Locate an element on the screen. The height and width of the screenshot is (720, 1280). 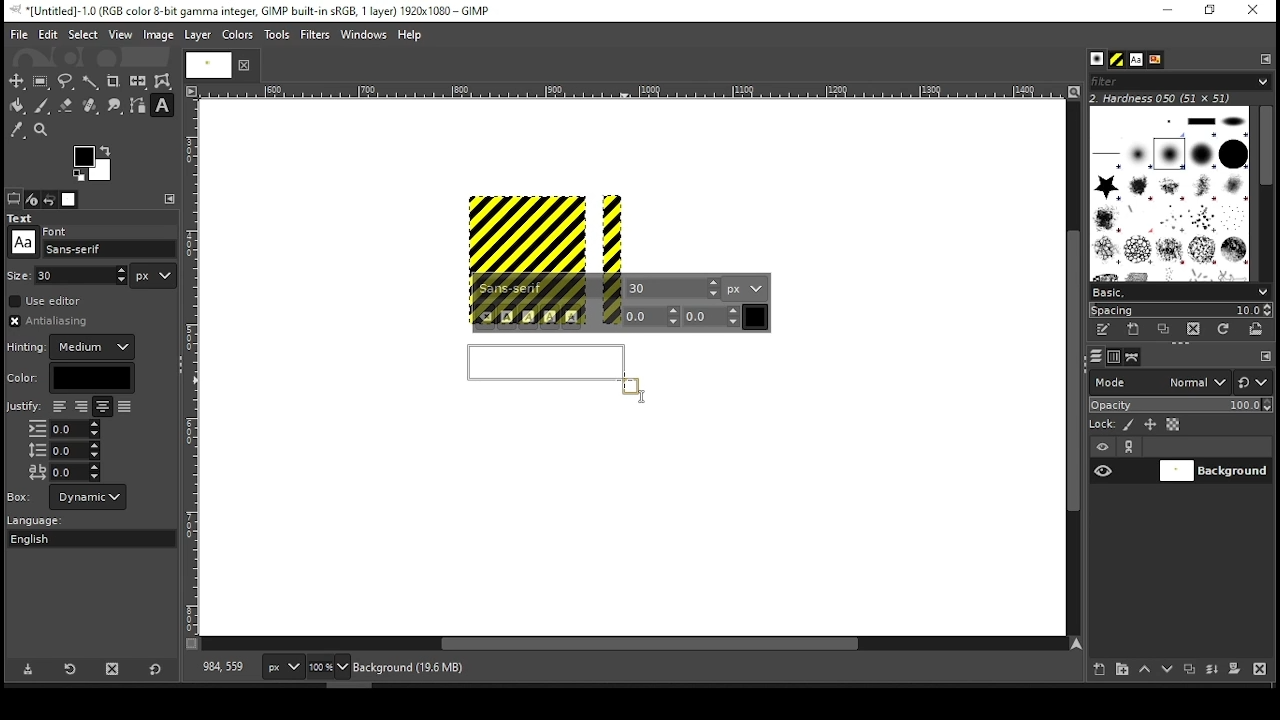
fuzzy selection tool is located at coordinates (91, 82).